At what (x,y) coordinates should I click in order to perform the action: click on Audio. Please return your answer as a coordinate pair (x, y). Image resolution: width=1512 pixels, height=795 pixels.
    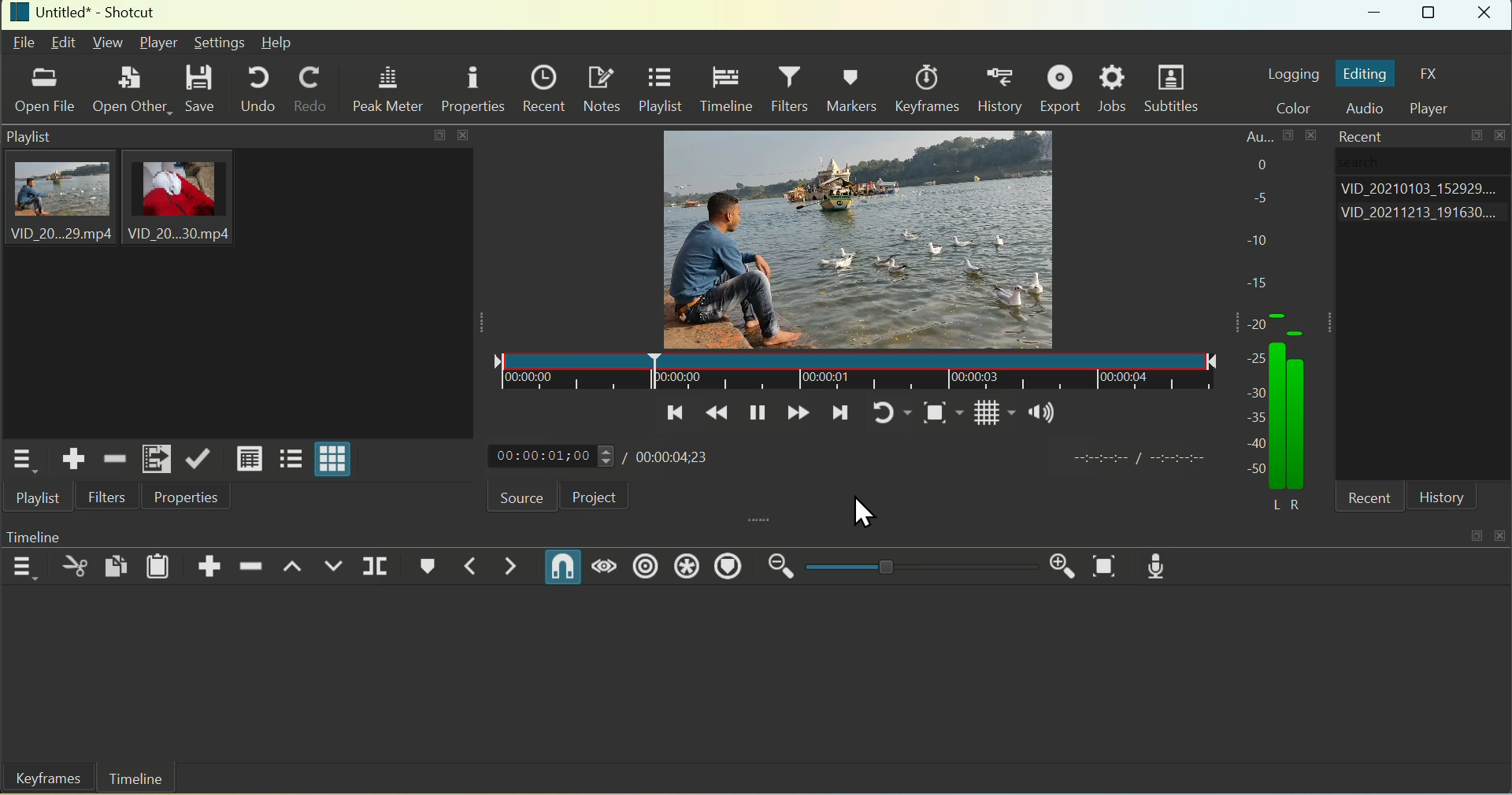
    Looking at the image, I should click on (1370, 109).